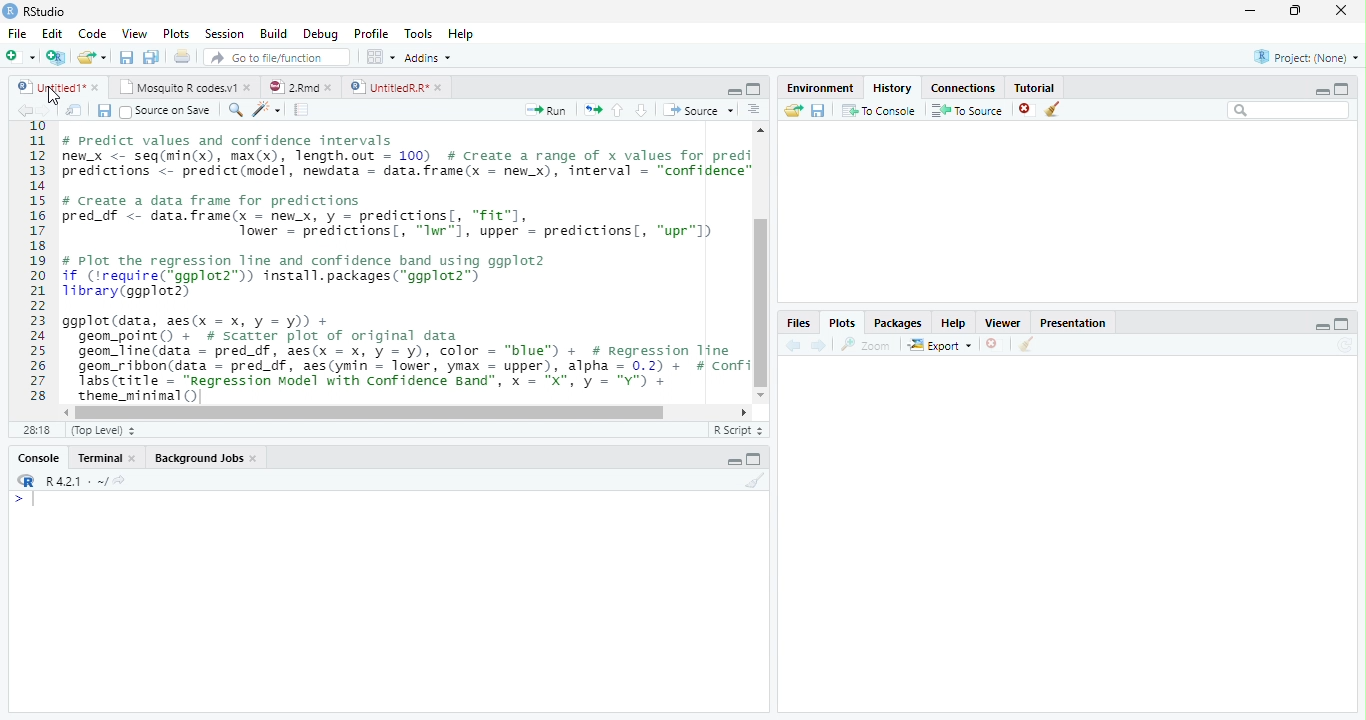  Describe the element at coordinates (818, 347) in the screenshot. I see `Next` at that location.